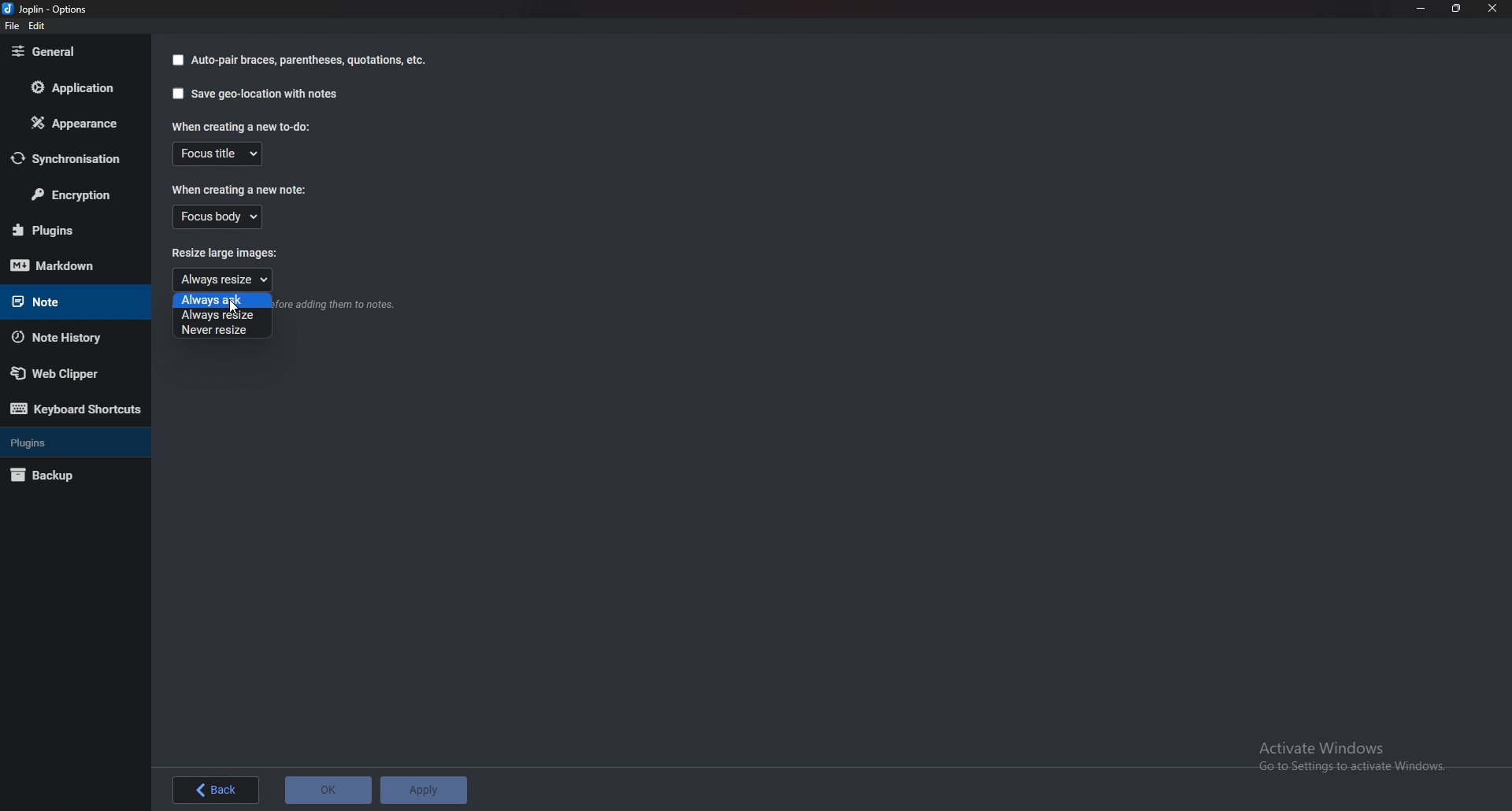 The image size is (1512, 811). I want to click on Focus title, so click(220, 154).